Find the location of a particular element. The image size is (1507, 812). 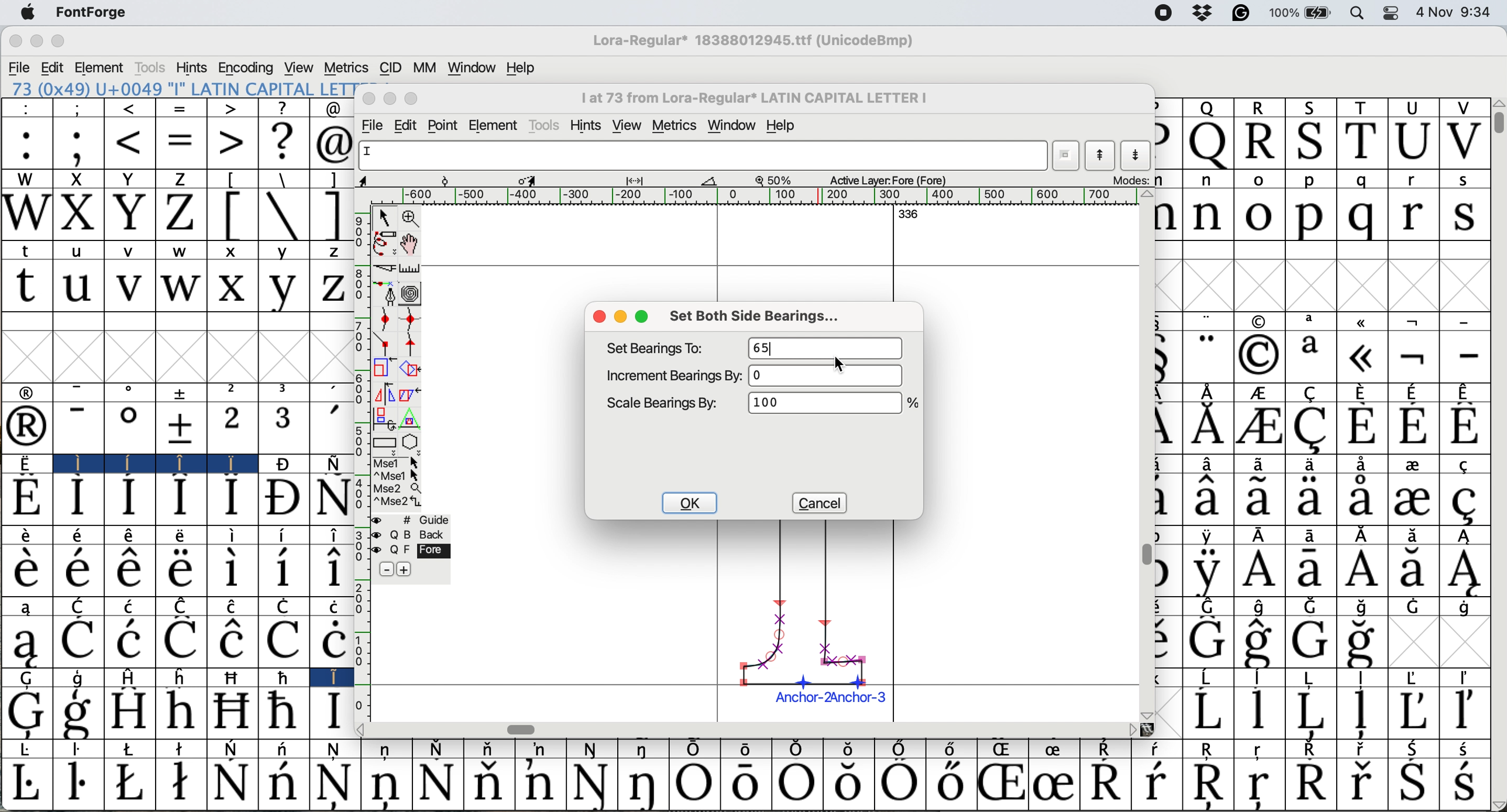

V is located at coordinates (1462, 108).